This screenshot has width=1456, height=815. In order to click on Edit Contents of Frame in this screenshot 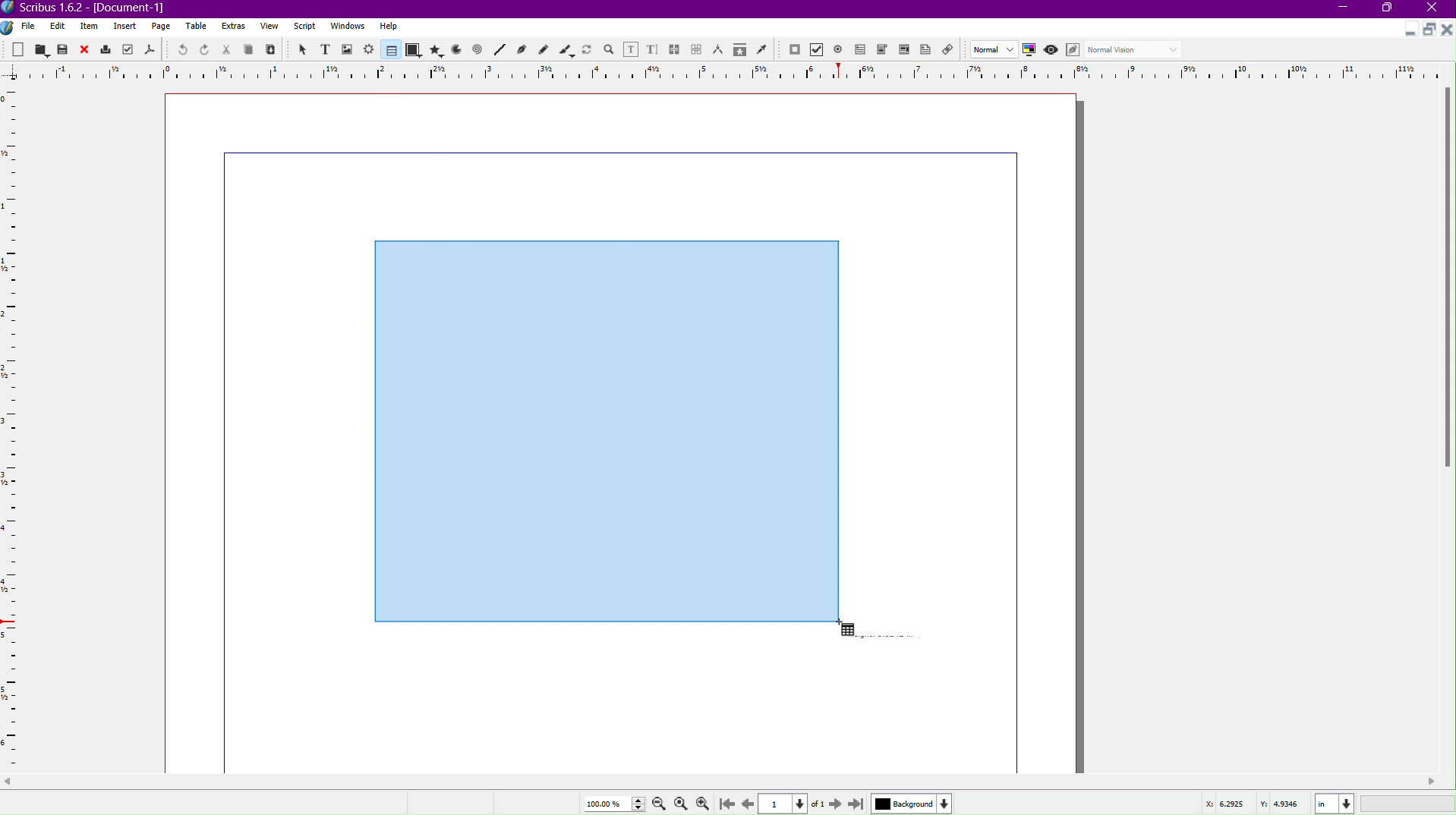, I will do `click(632, 49)`.